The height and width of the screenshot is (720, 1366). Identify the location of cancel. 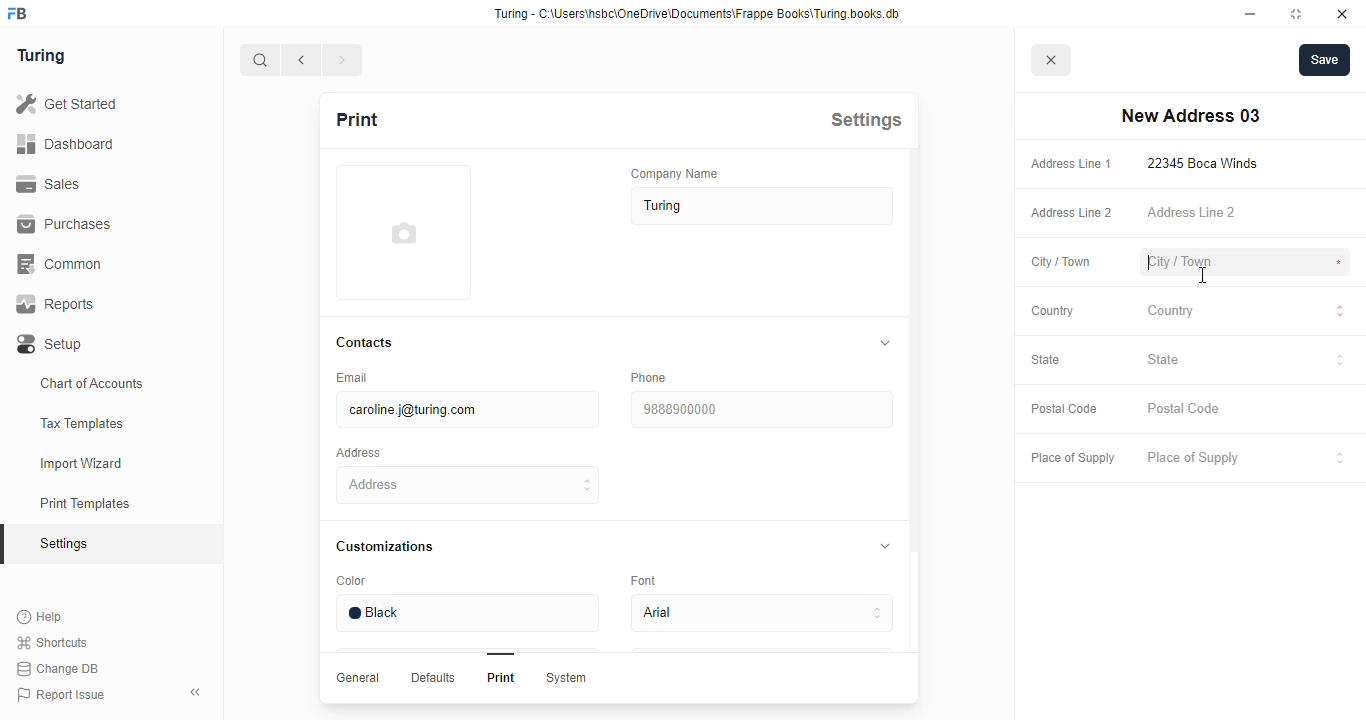
(1052, 61).